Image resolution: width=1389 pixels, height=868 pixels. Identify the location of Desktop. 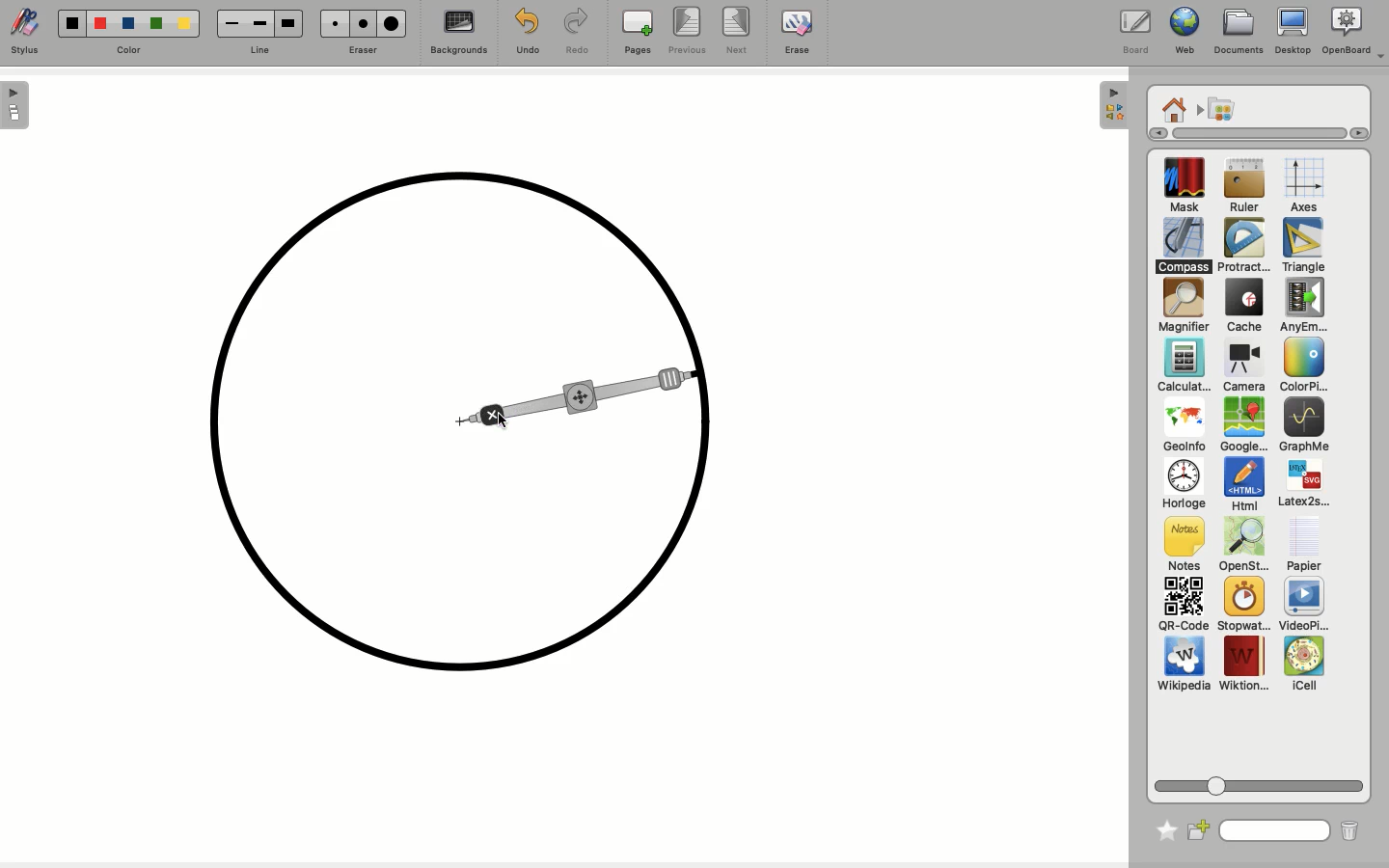
(1293, 35).